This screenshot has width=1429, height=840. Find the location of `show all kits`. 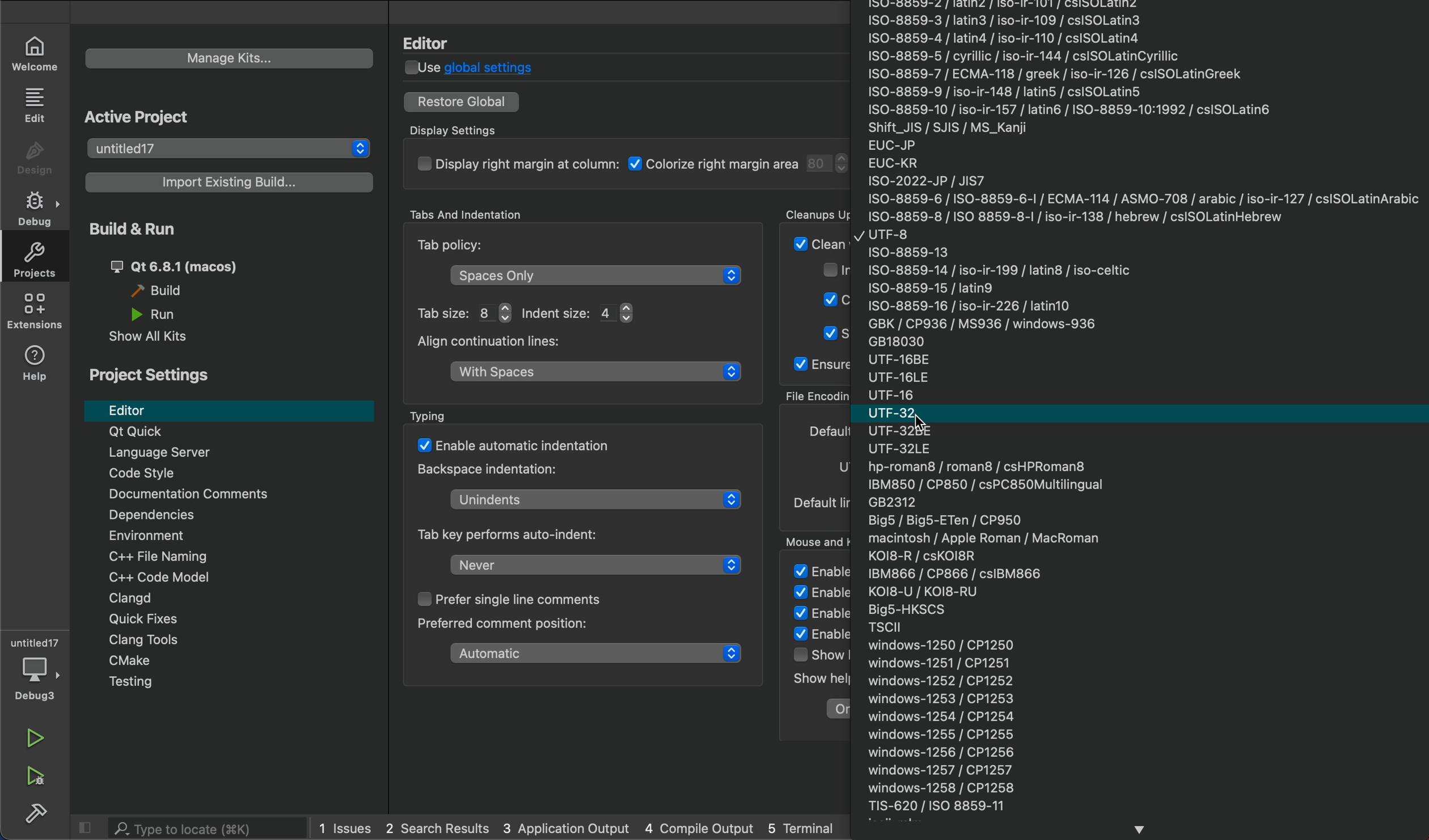

show all kits is located at coordinates (151, 340).